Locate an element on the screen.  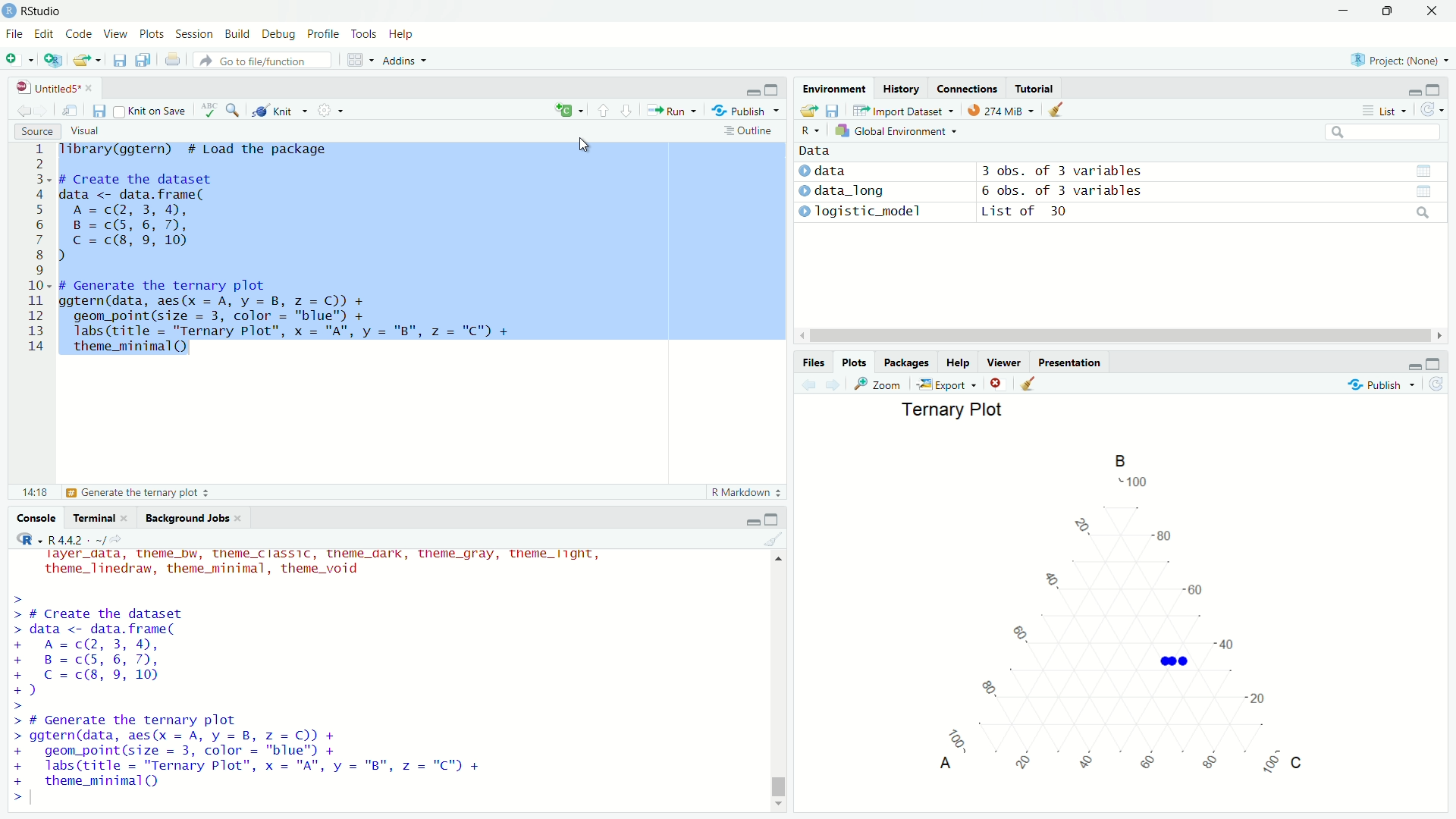
» Publish is located at coordinates (740, 110).